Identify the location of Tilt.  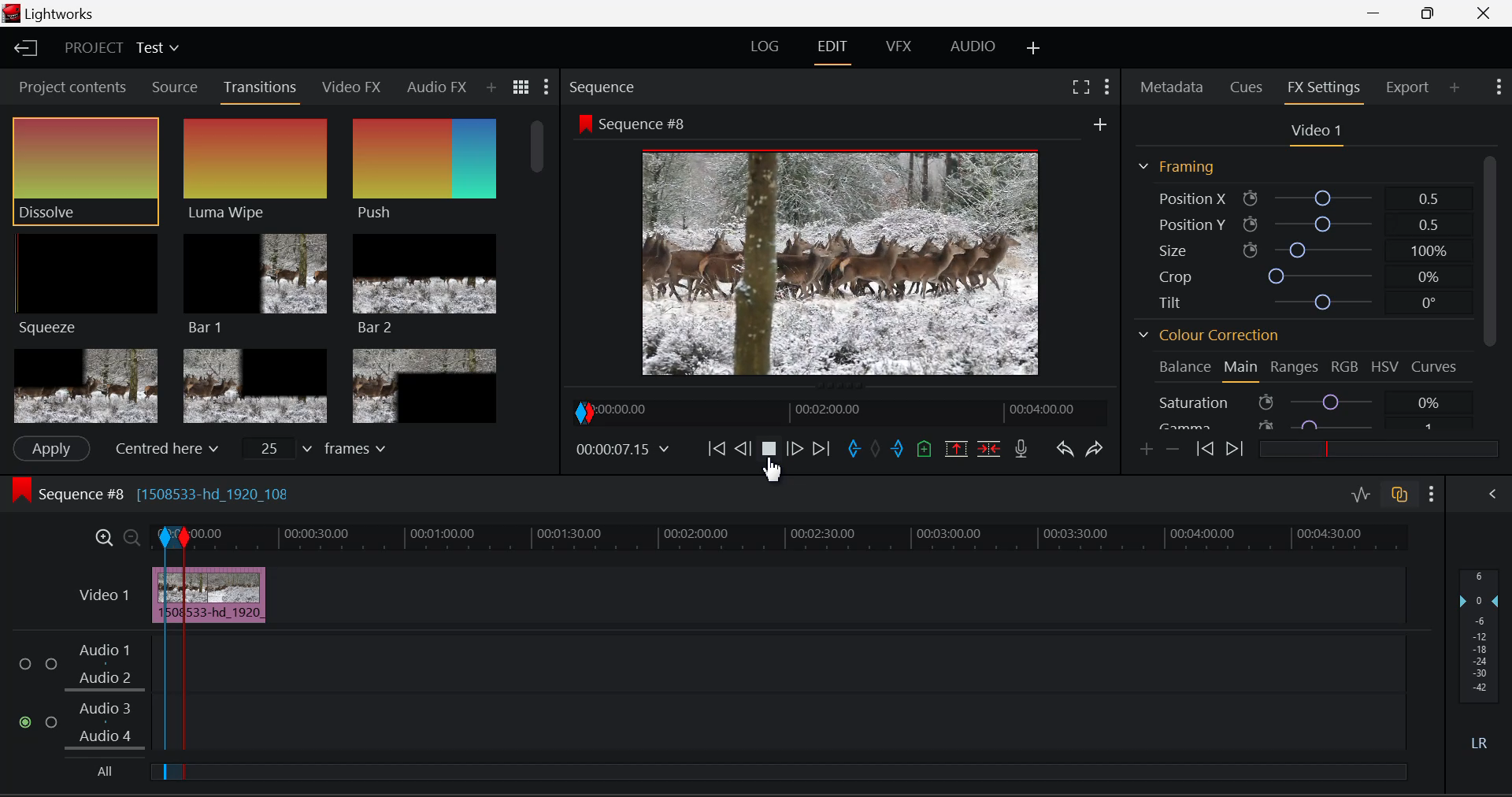
(1295, 301).